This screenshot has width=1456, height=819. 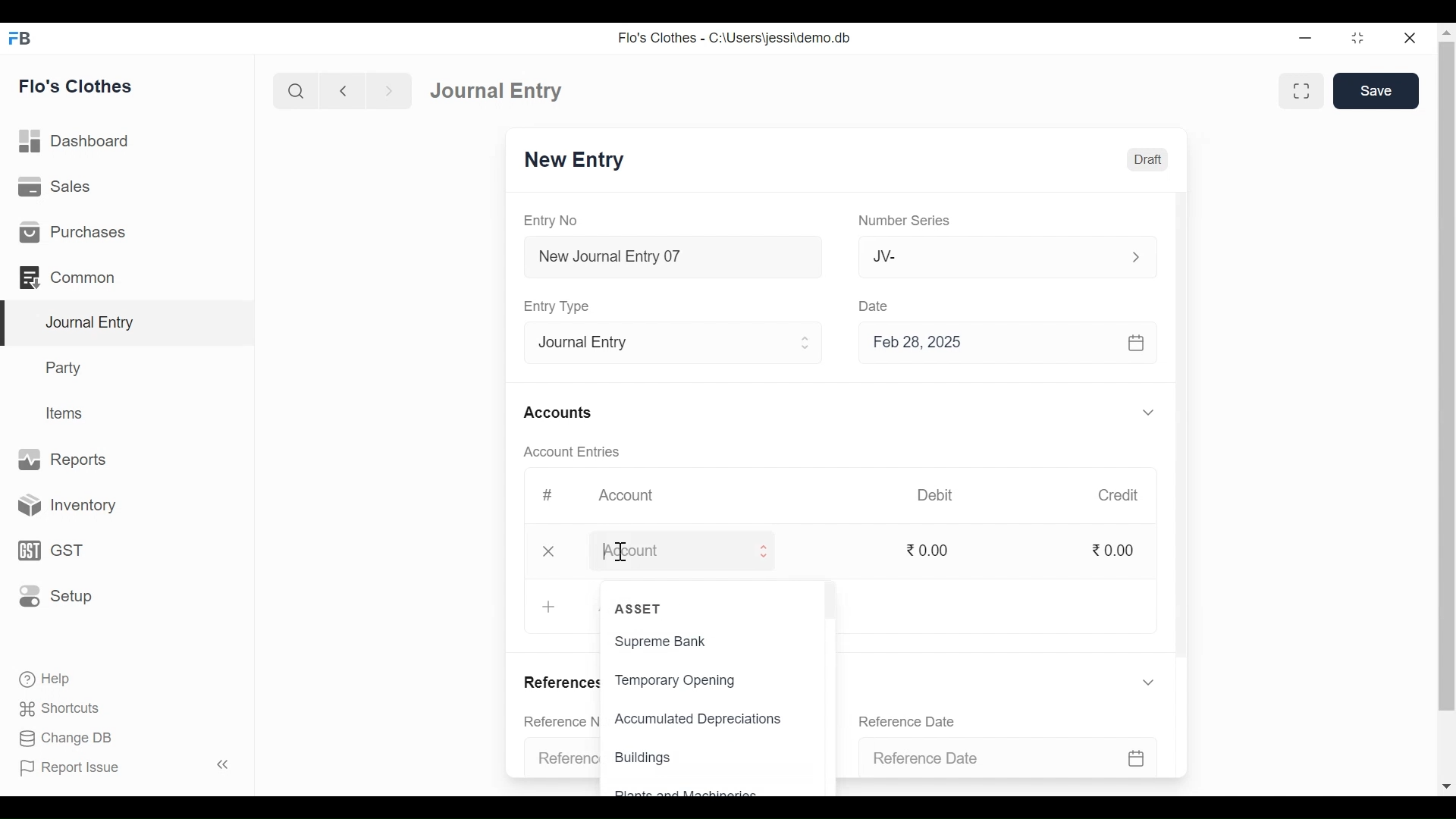 What do you see at coordinates (76, 86) in the screenshot?
I see `Flo's Clothes` at bounding box center [76, 86].